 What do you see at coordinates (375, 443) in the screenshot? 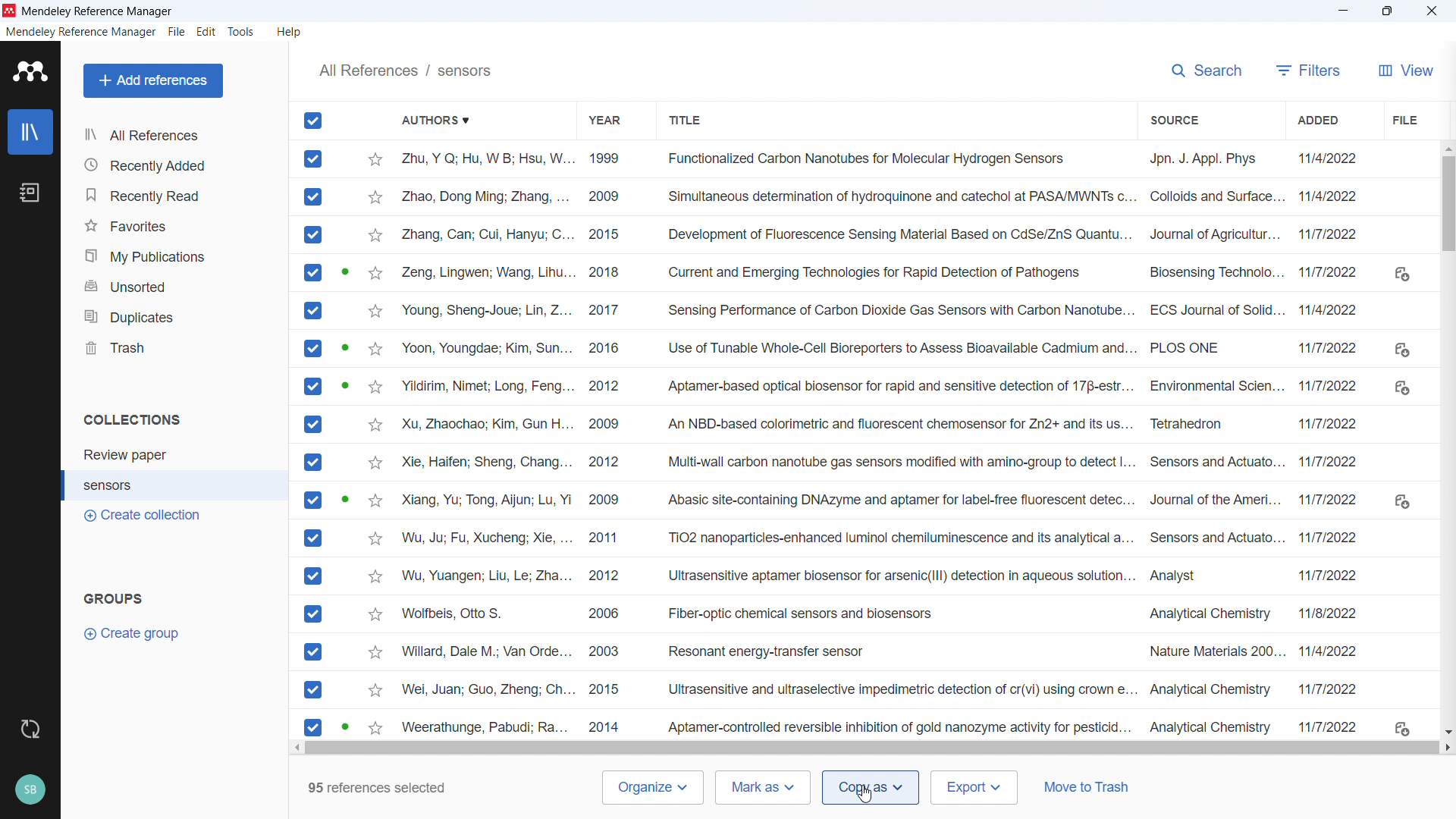
I see `Starmark individual entries ` at bounding box center [375, 443].